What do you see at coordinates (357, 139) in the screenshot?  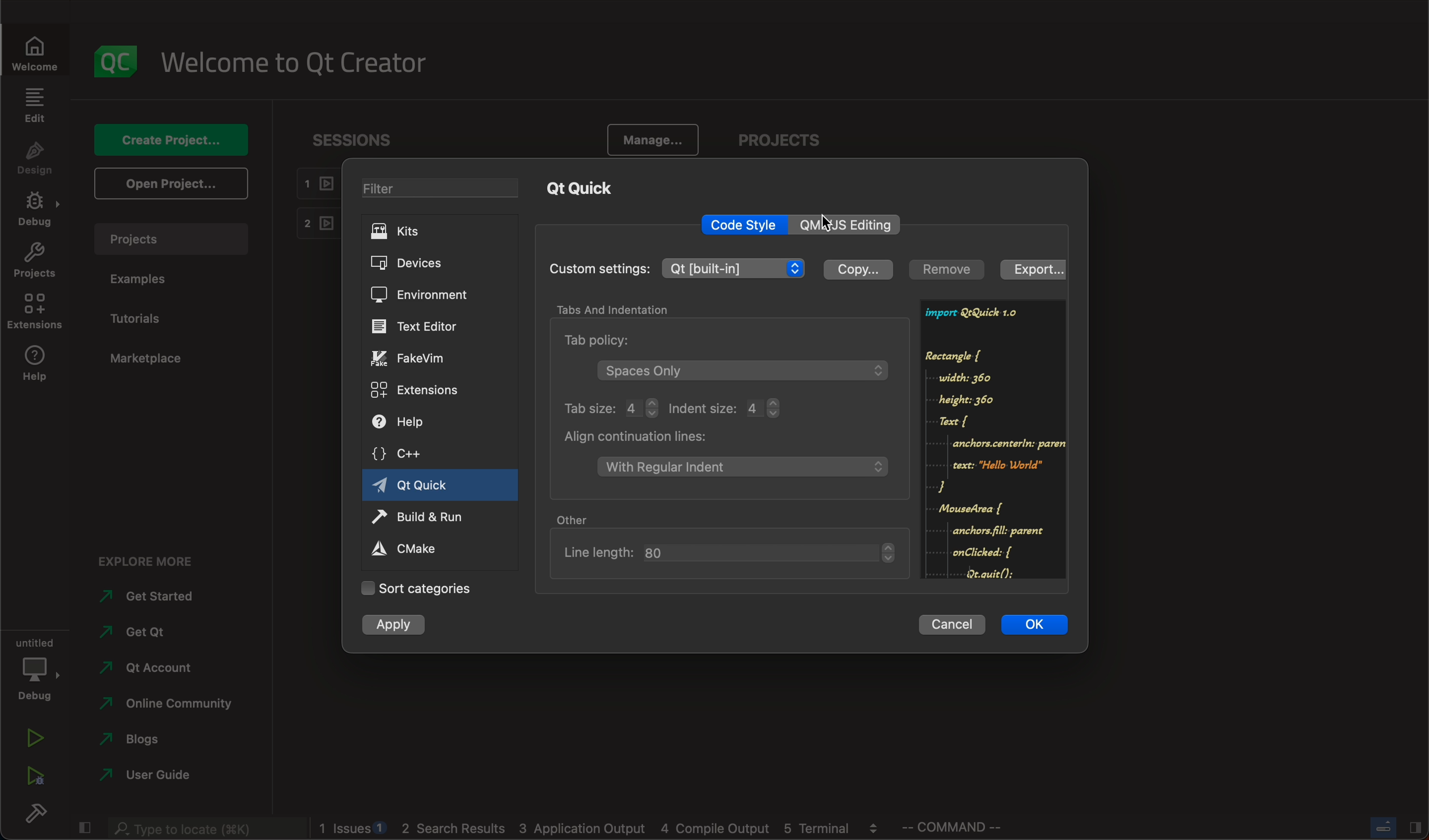 I see `sessions` at bounding box center [357, 139].